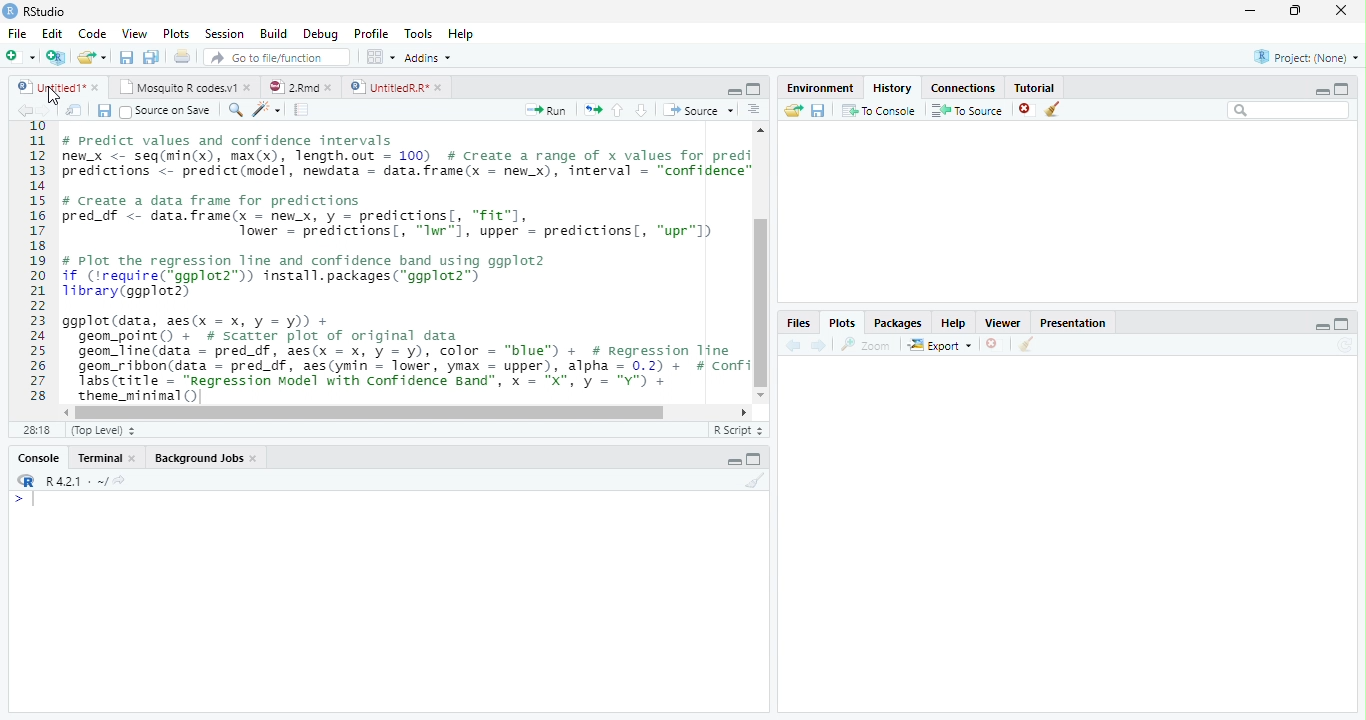 This screenshot has height=720, width=1366. Describe the element at coordinates (753, 110) in the screenshot. I see `Alignment` at that location.